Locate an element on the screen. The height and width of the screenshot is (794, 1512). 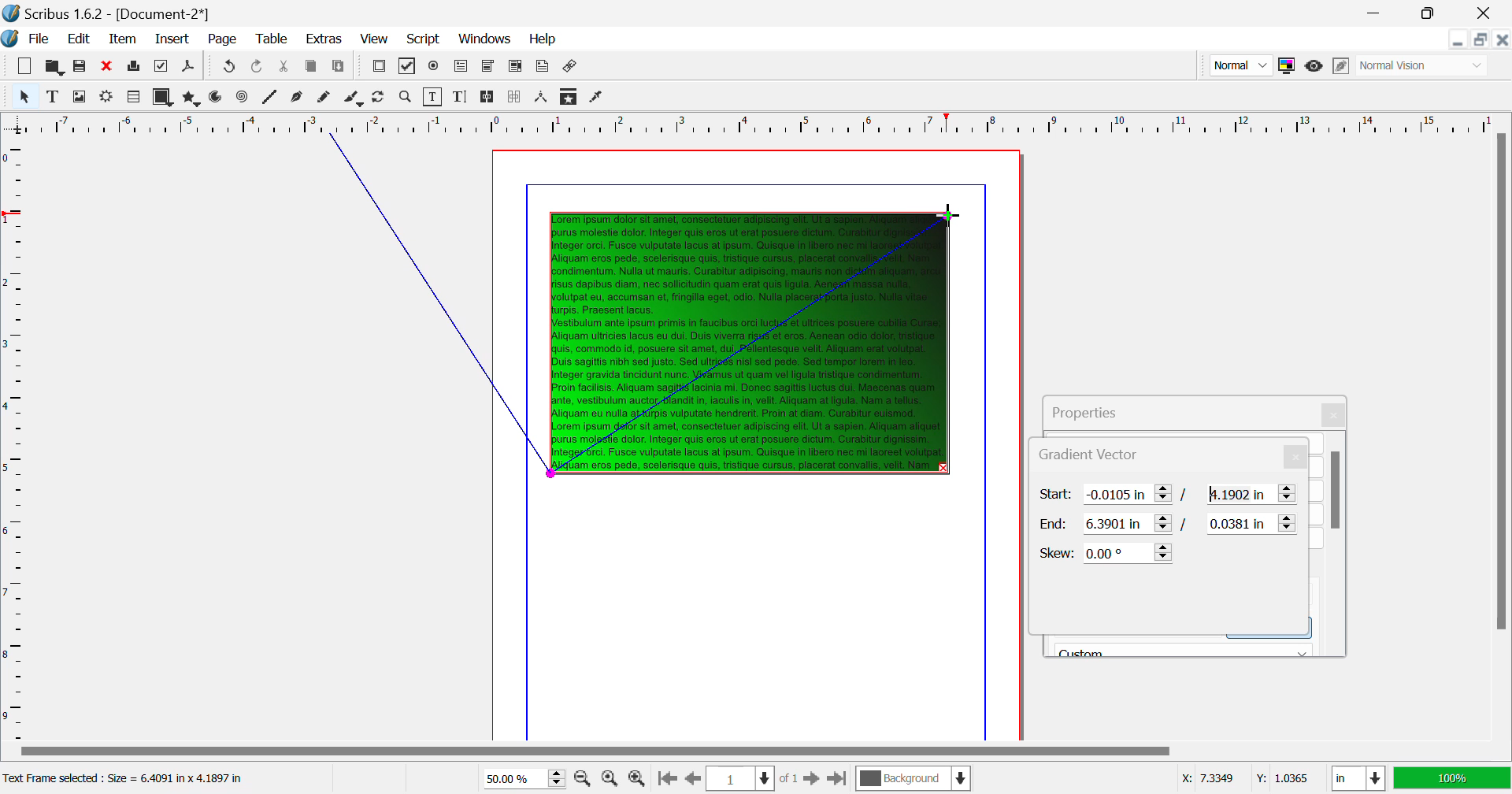
Calligraphic Line is located at coordinates (354, 99).